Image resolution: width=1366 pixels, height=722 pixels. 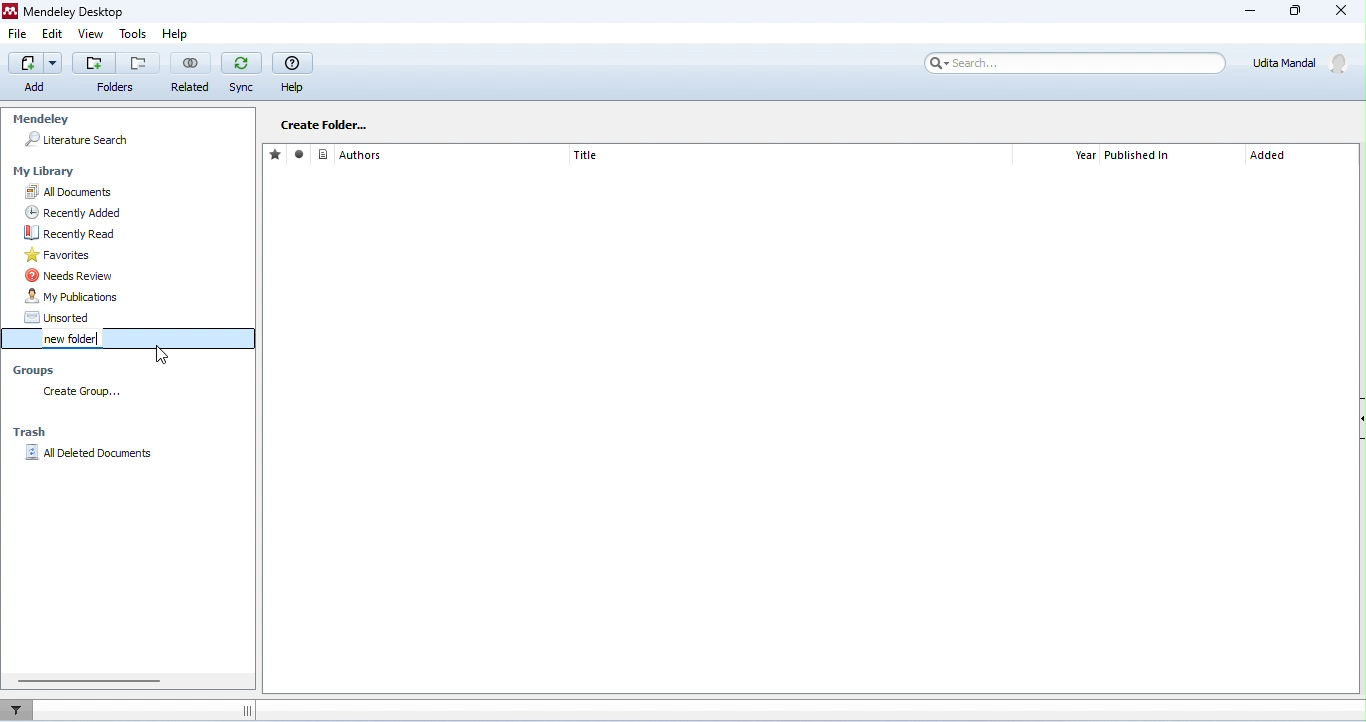 I want to click on all documents, so click(x=136, y=192).